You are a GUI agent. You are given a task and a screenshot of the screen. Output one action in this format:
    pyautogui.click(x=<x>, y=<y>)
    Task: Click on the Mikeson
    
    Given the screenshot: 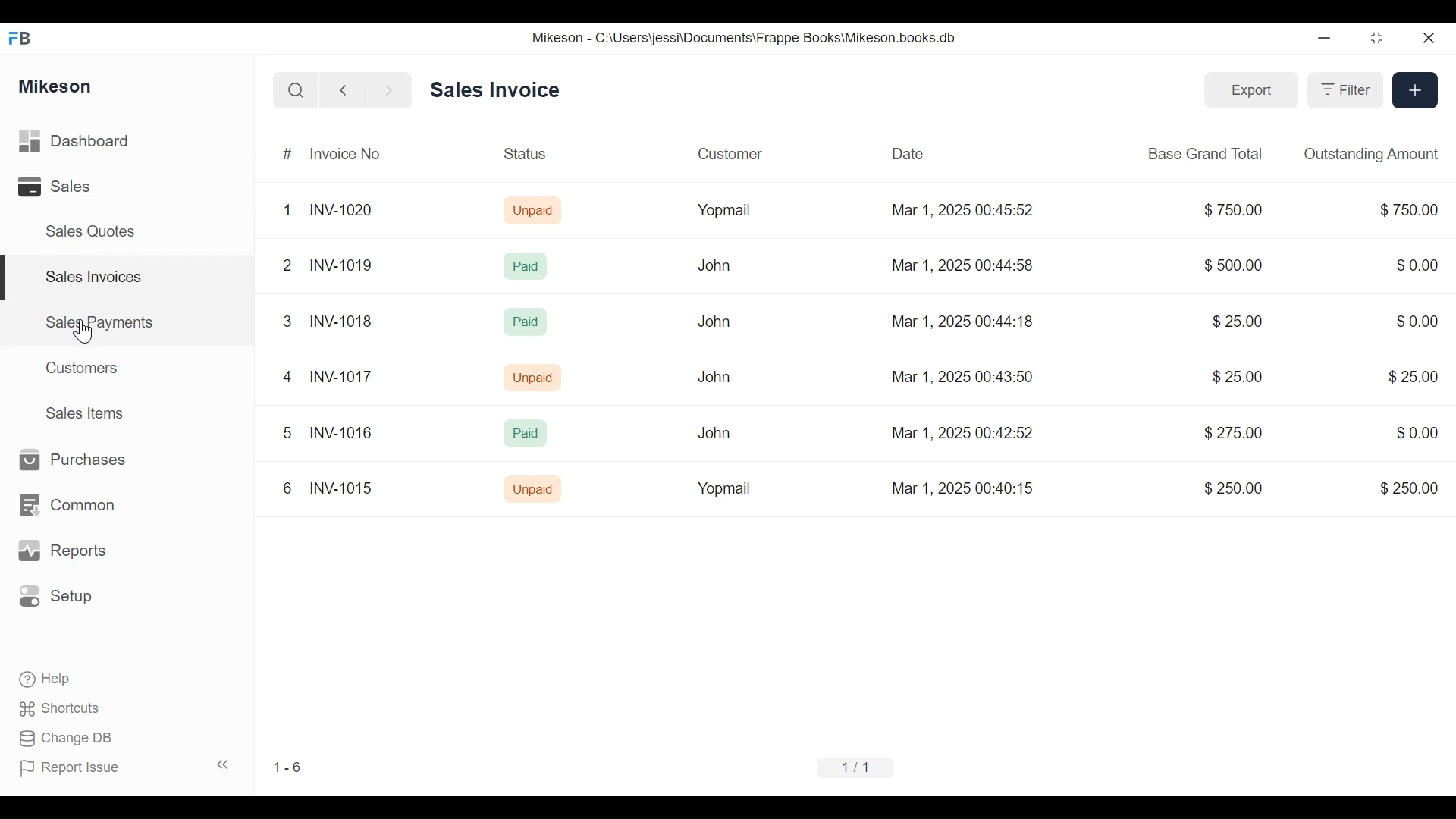 What is the action you would take?
    pyautogui.click(x=56, y=84)
    